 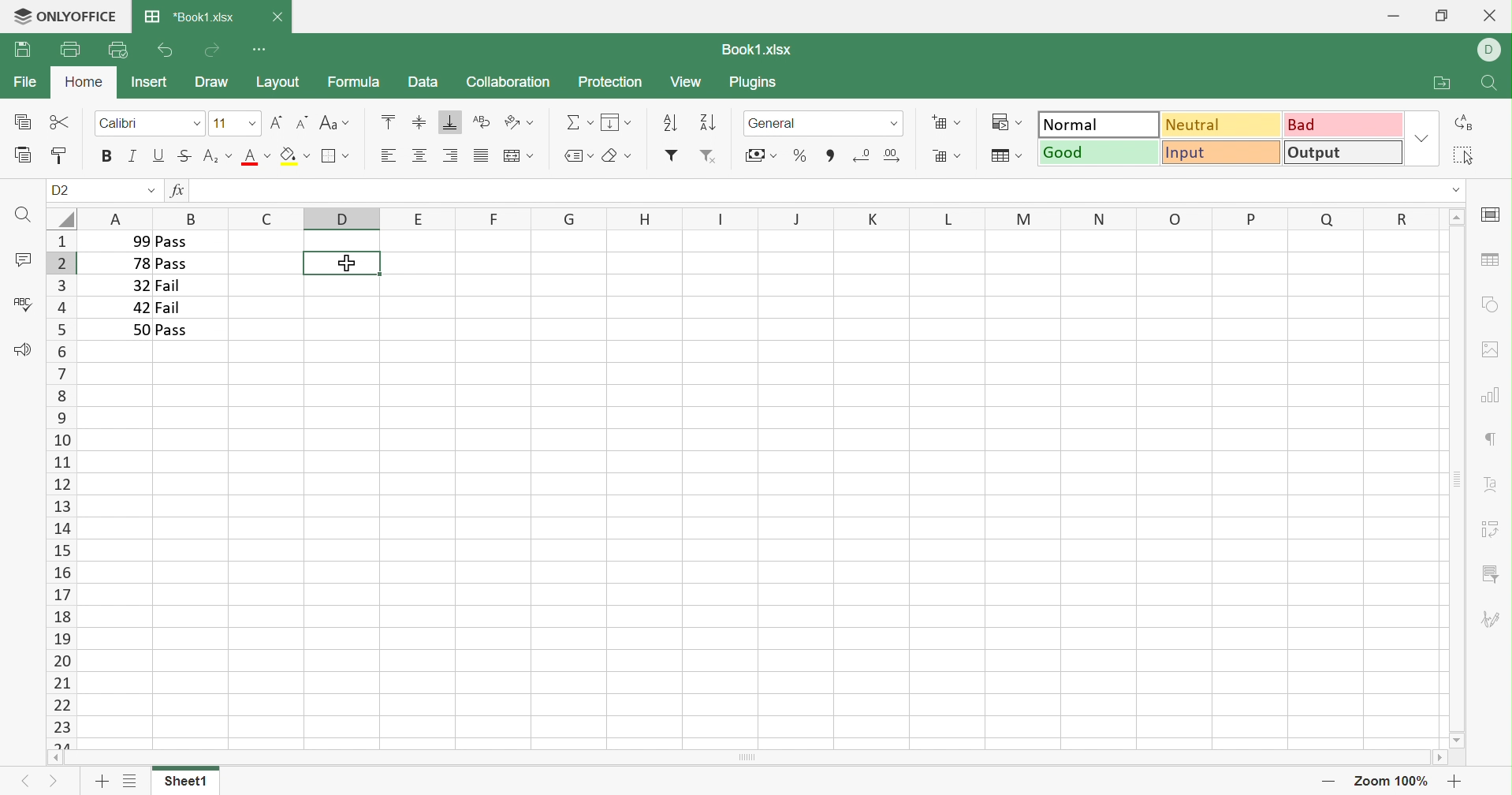 What do you see at coordinates (141, 308) in the screenshot?
I see `42` at bounding box center [141, 308].